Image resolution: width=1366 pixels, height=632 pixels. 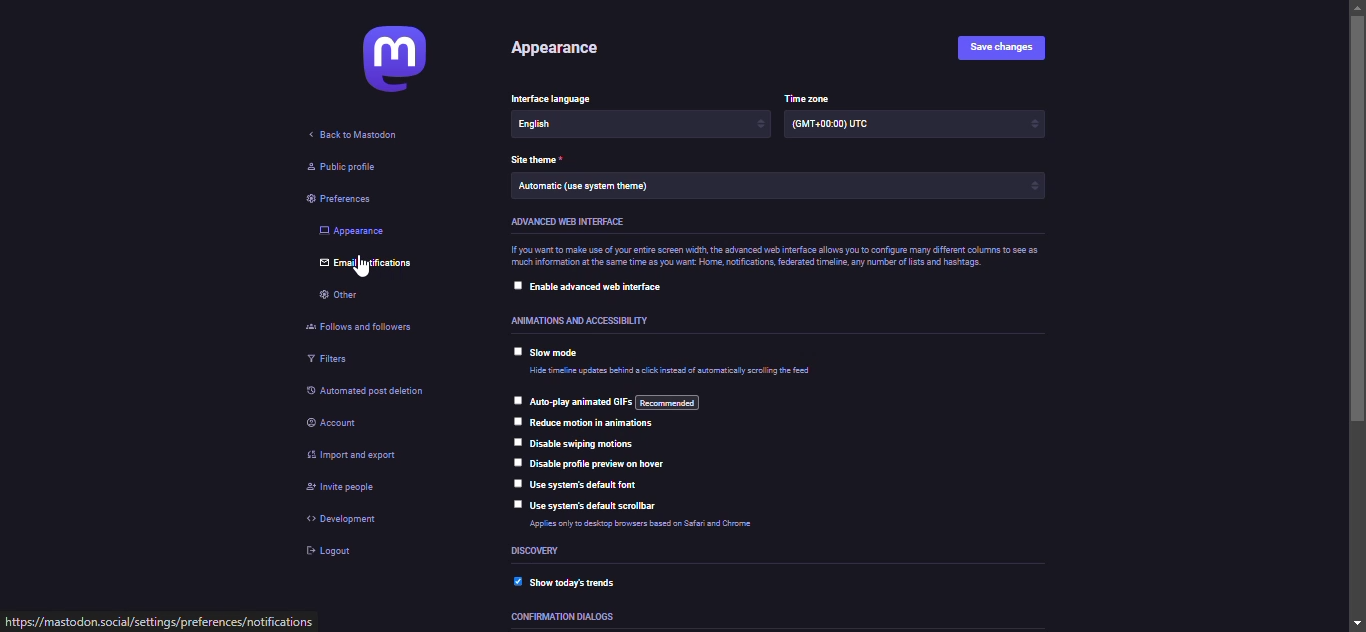 I want to click on mastodon, so click(x=395, y=59).